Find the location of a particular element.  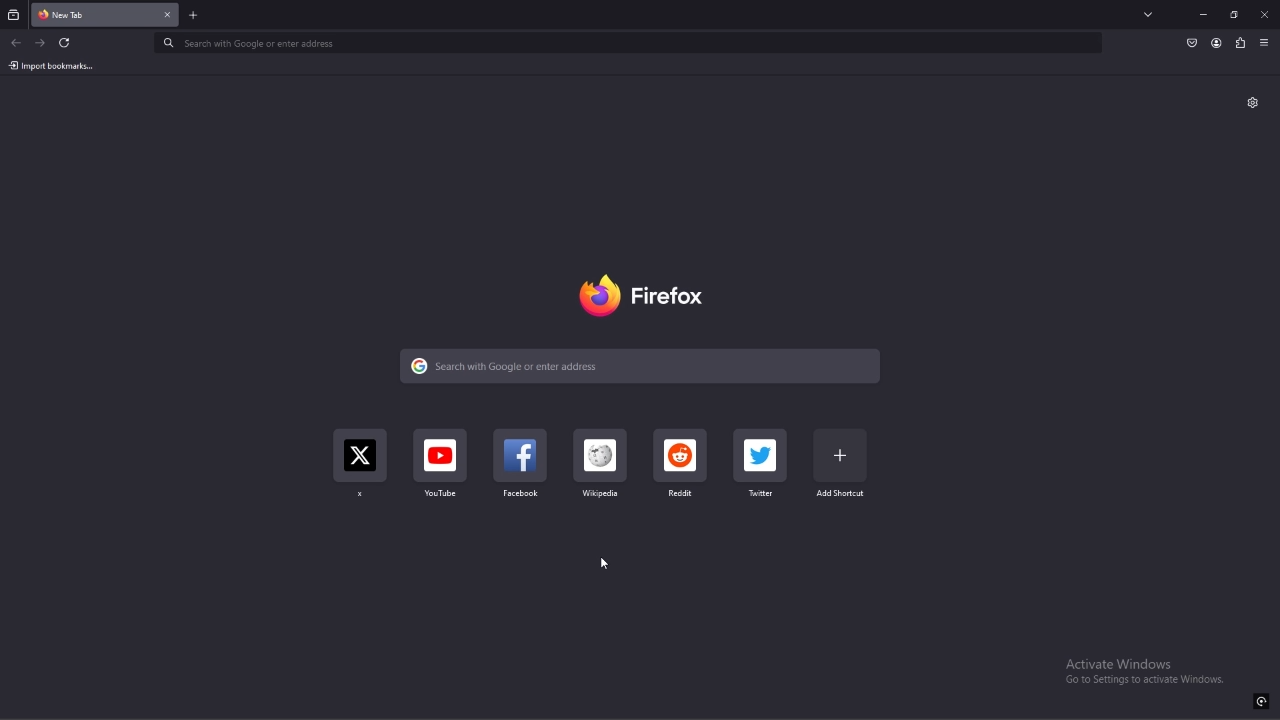

input bookmarks is located at coordinates (57, 65).